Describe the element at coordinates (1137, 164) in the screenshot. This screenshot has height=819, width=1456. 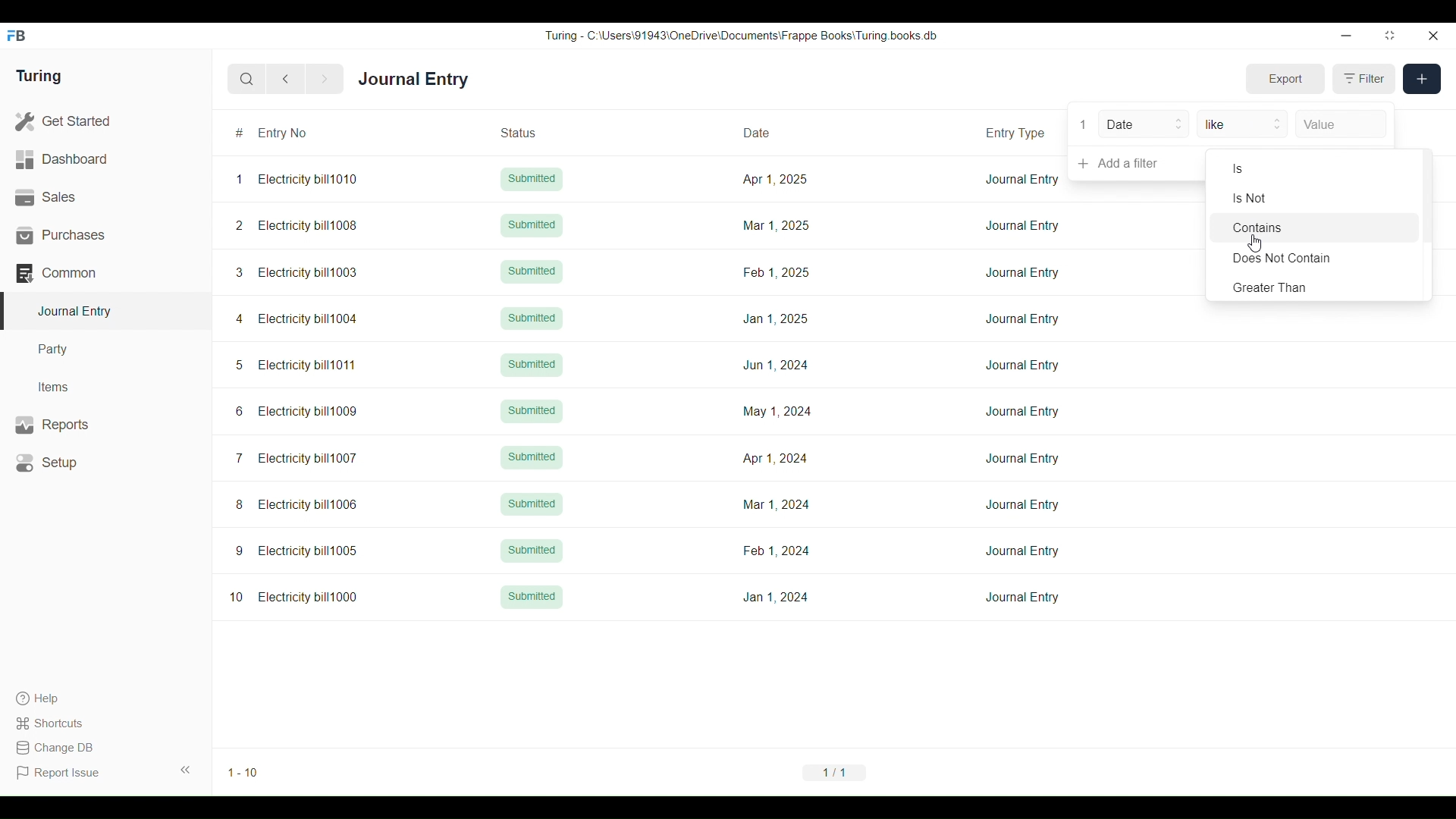
I see `Add a filter` at that location.